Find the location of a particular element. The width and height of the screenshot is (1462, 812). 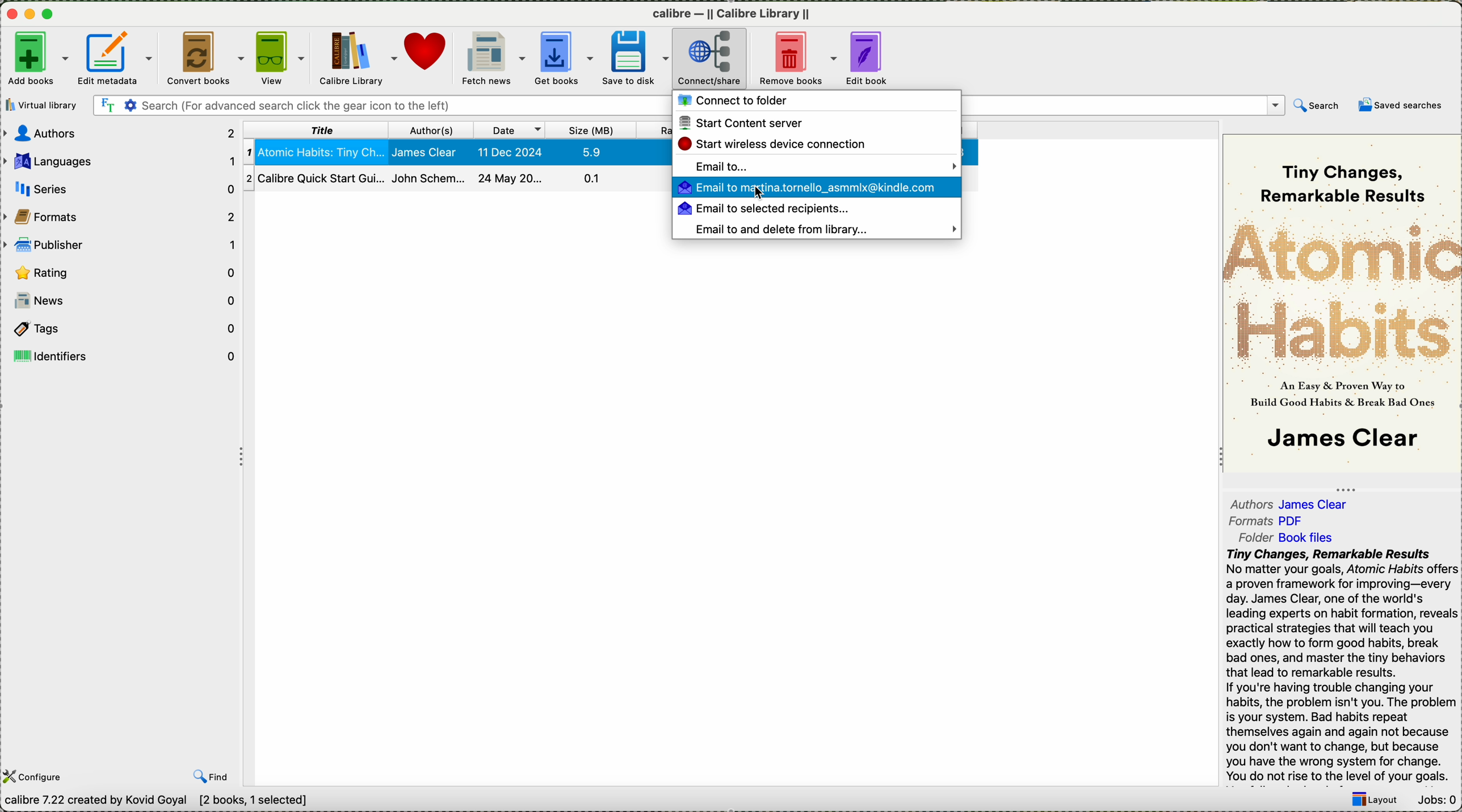

formats is located at coordinates (121, 213).